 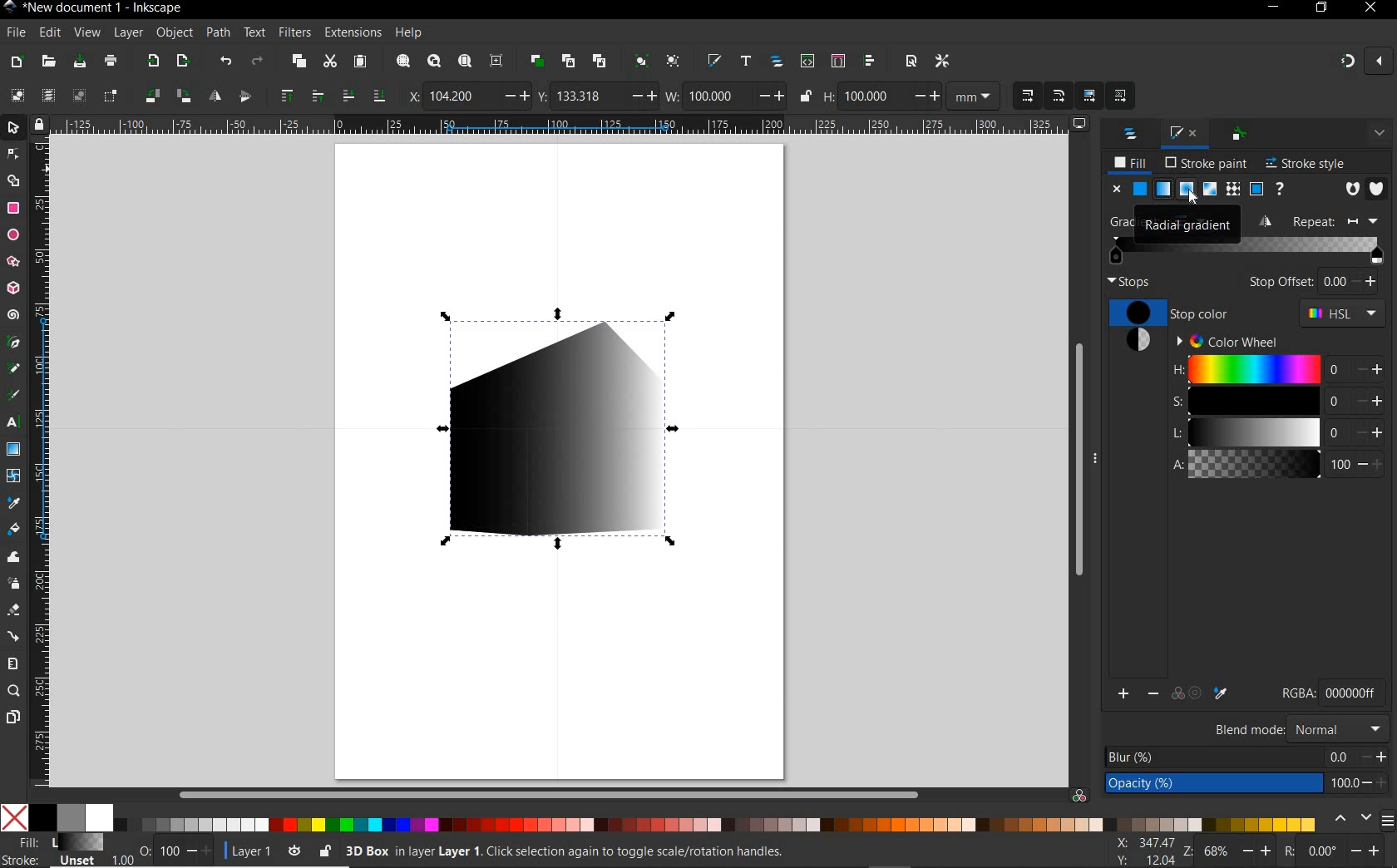 What do you see at coordinates (14, 634) in the screenshot?
I see `CONNECTOR TOOL` at bounding box center [14, 634].